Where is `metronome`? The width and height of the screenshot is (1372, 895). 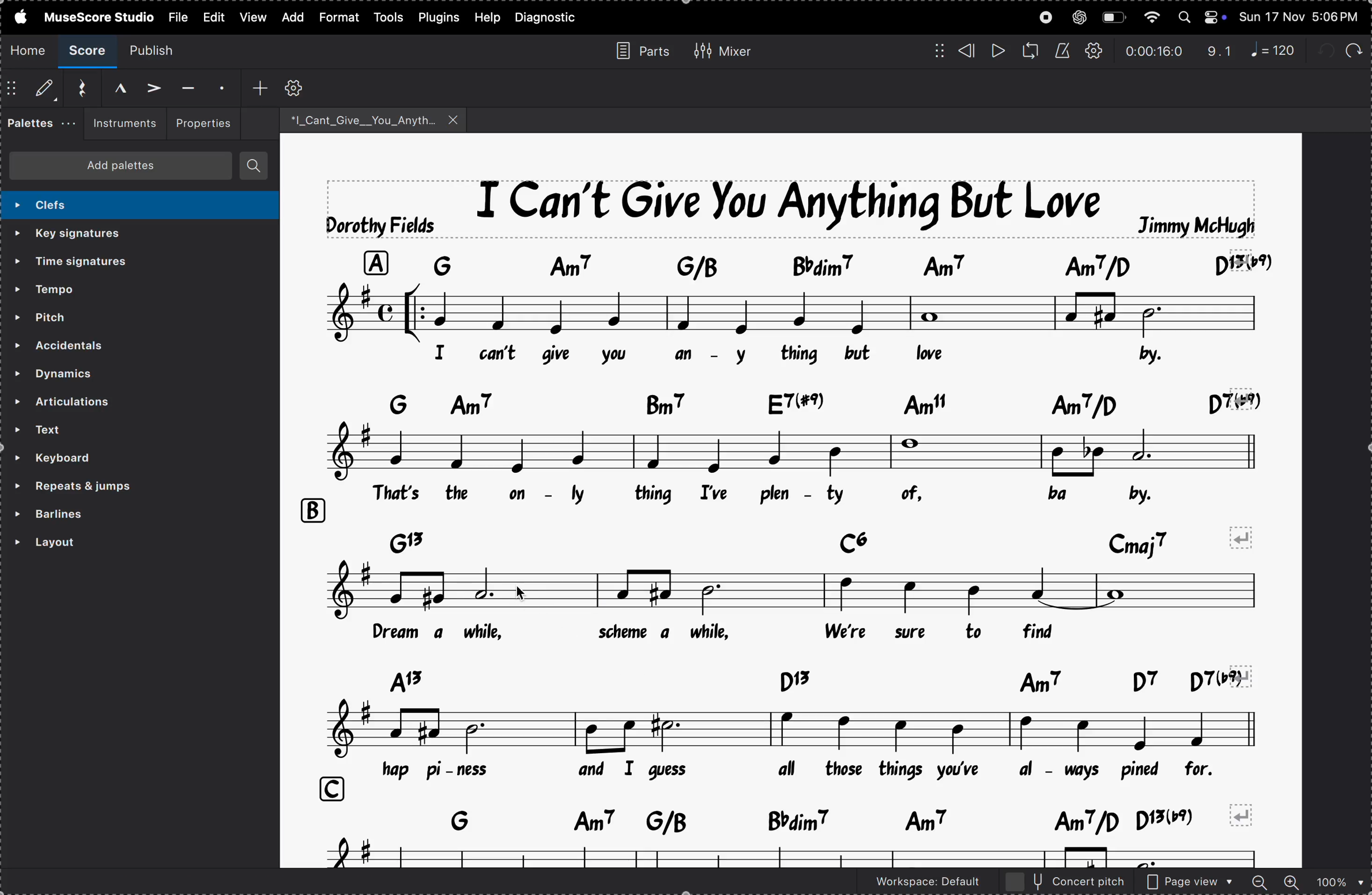
metronome is located at coordinates (1062, 51).